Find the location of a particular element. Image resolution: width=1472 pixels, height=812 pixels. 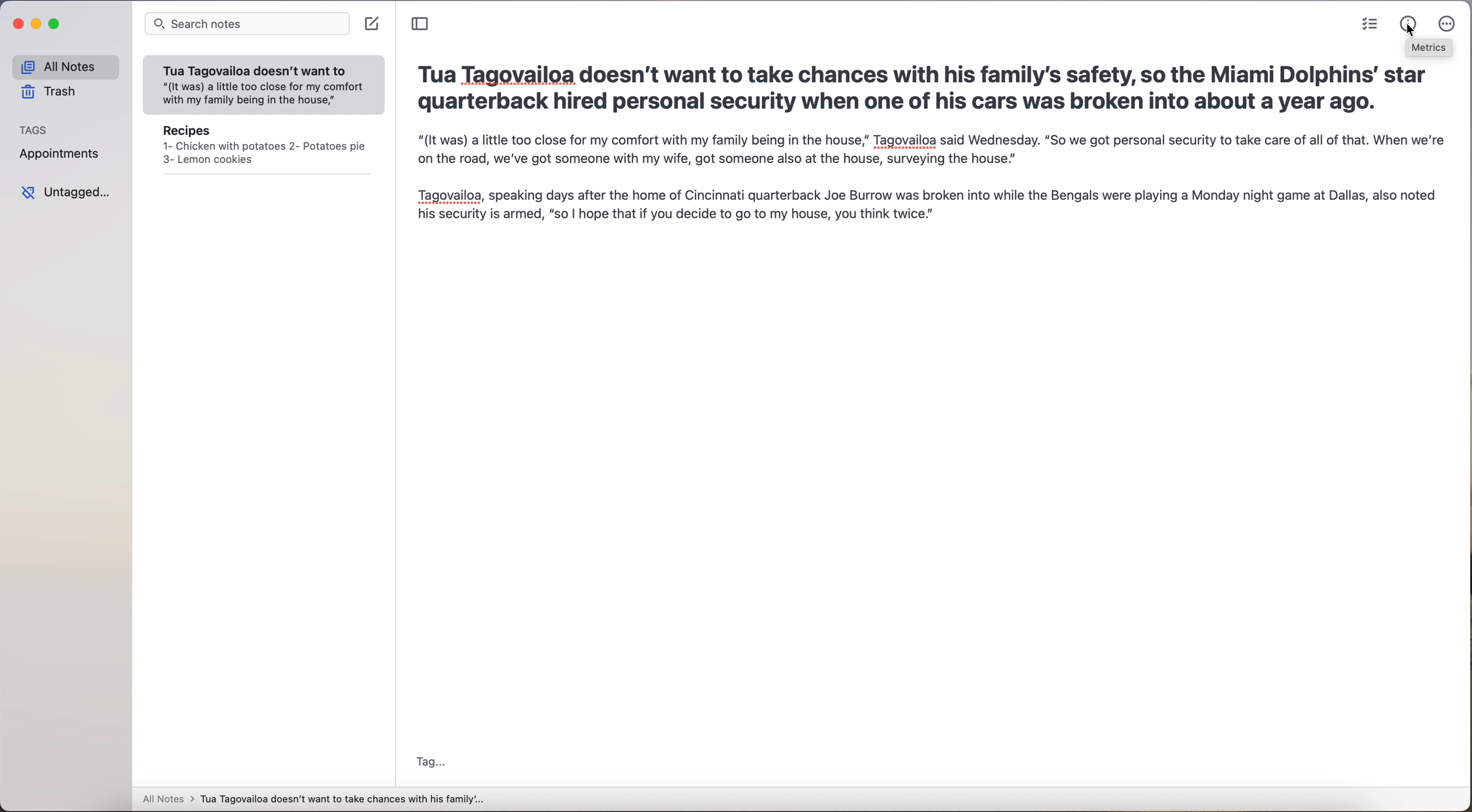

Tua Tagovailoa doesn’t want to
“(It was) a little too close for my comfort
with my family being in the house,” is located at coordinates (265, 81).